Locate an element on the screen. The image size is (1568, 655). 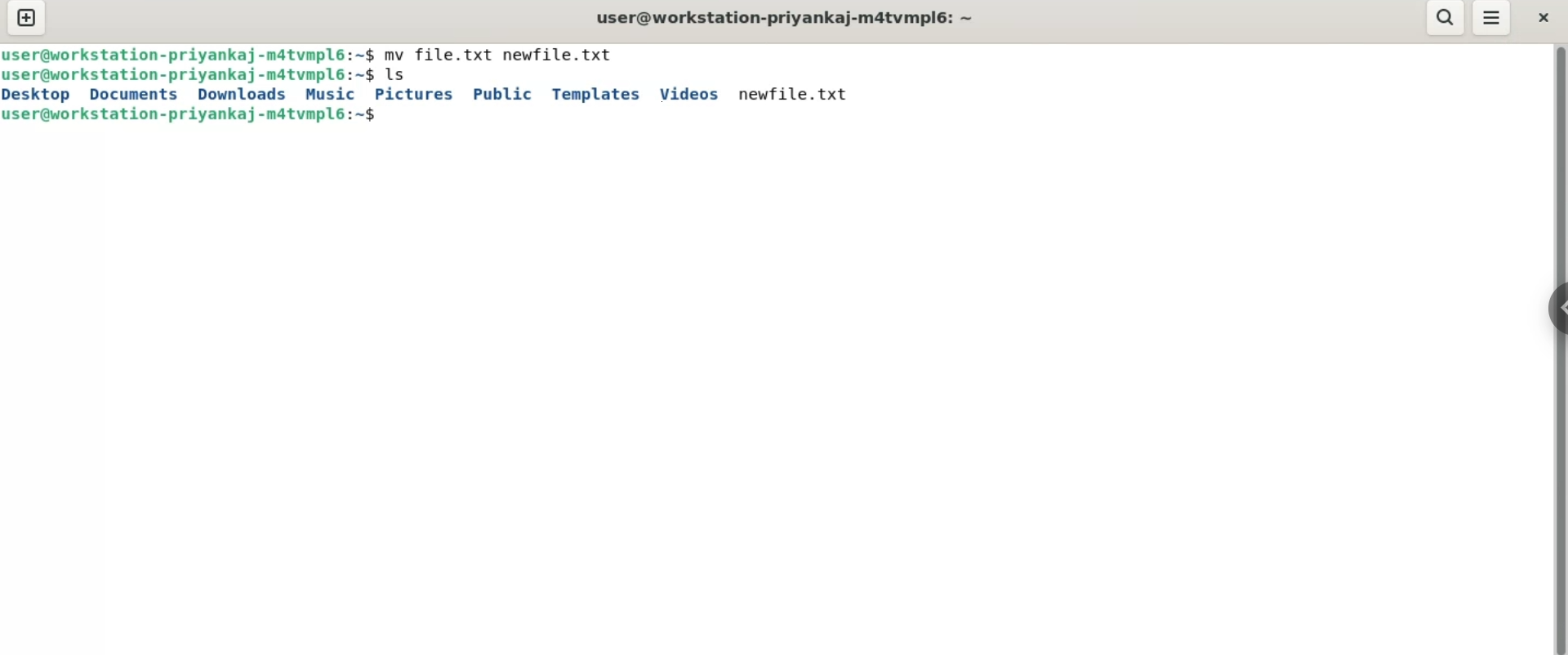
music is located at coordinates (334, 94).